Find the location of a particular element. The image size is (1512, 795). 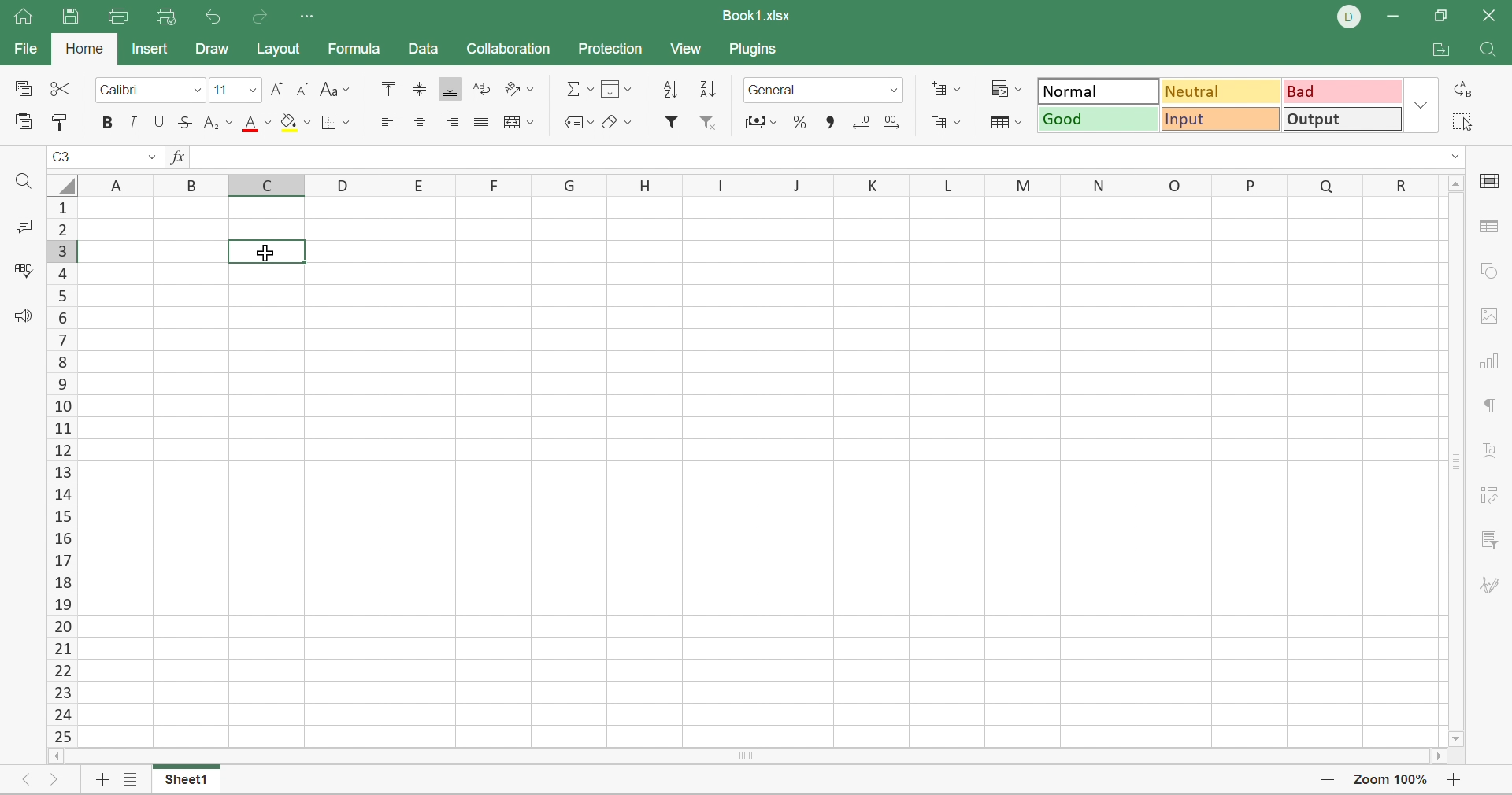

images settings is located at coordinates (1485, 317).